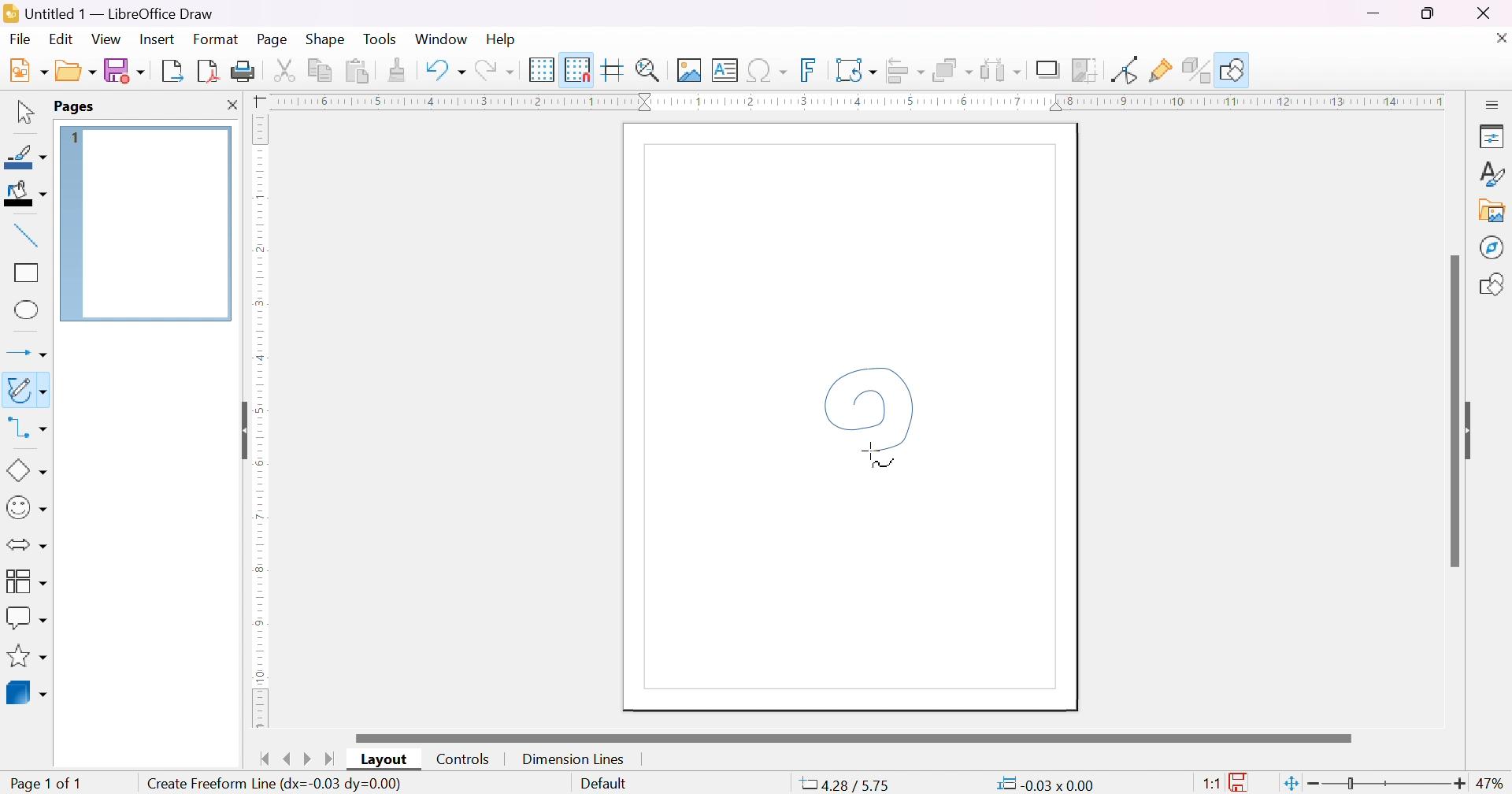 This screenshot has width=1512, height=794. Describe the element at coordinates (399, 70) in the screenshot. I see `clone formatting` at that location.